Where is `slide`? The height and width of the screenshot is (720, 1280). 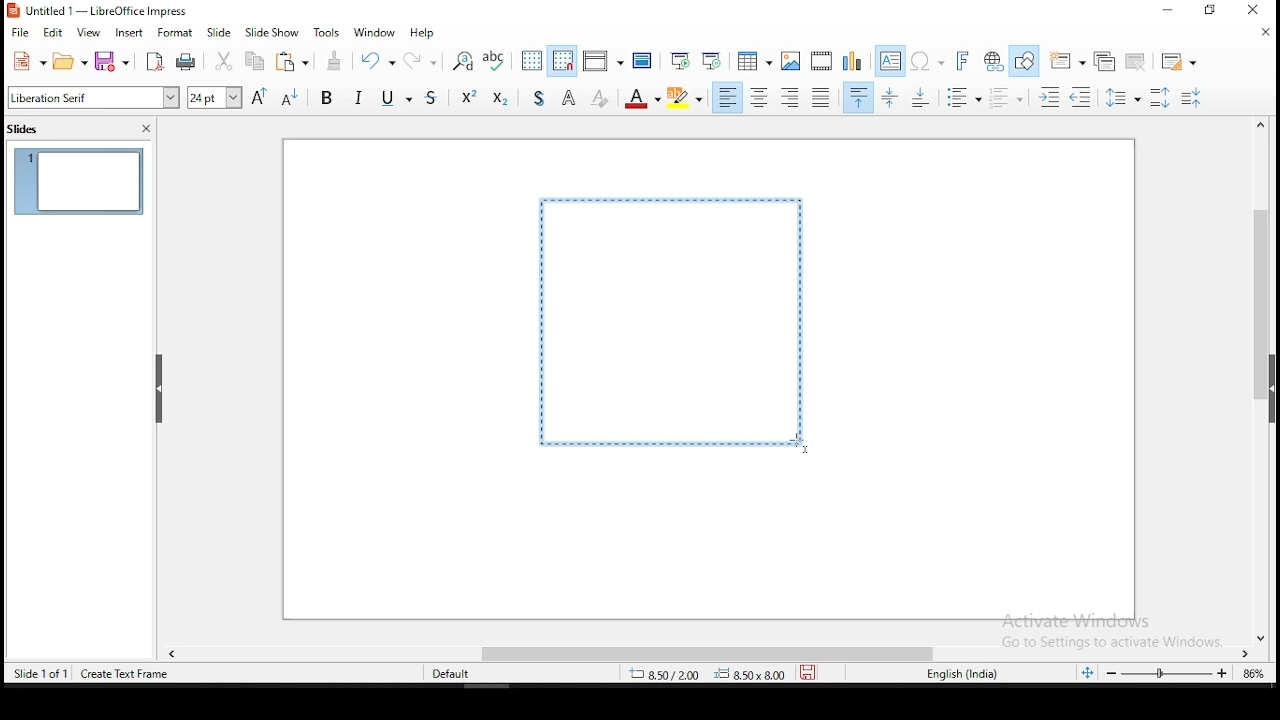
slide is located at coordinates (79, 183).